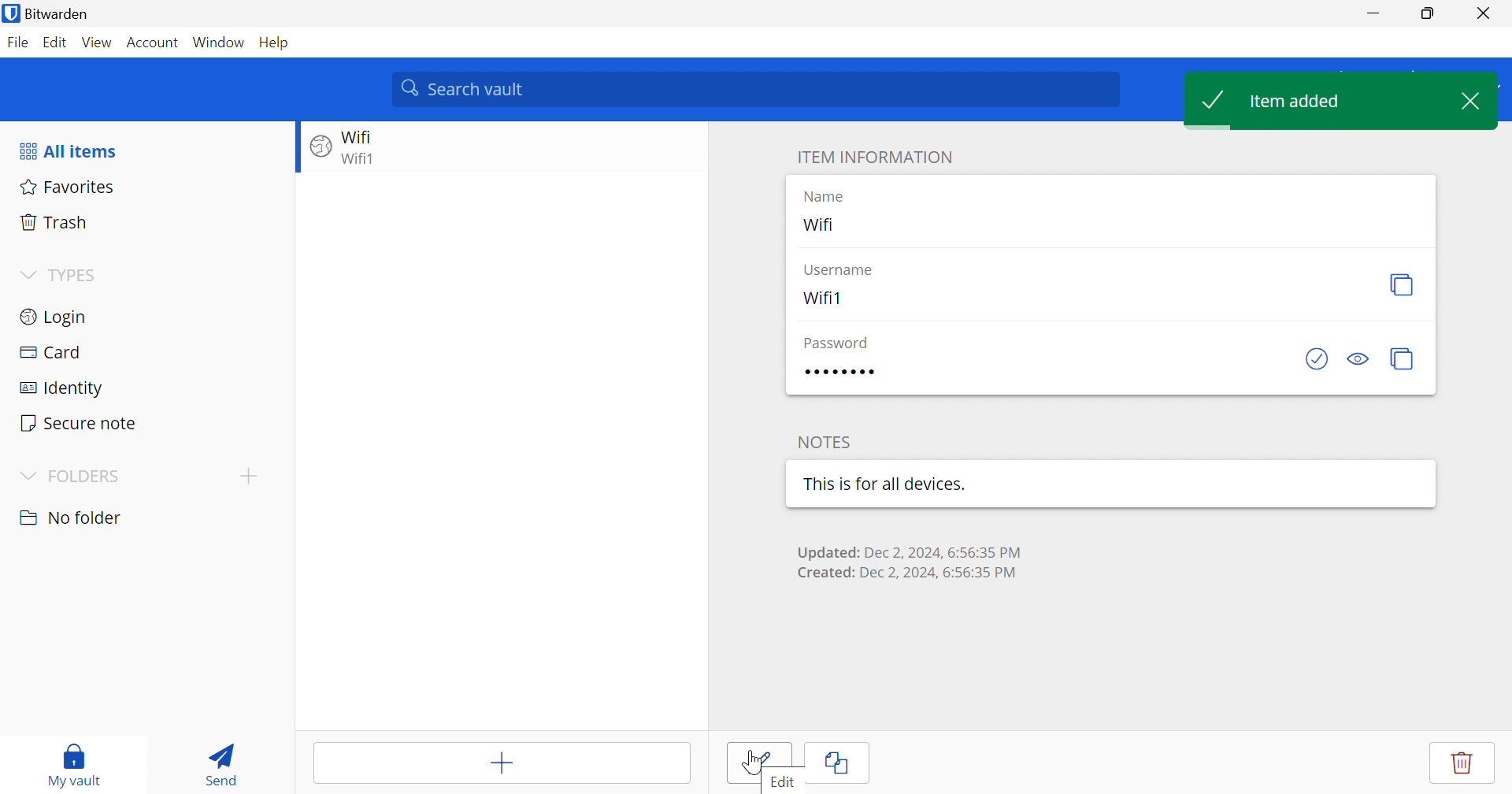 This screenshot has width=1512, height=794. What do you see at coordinates (75, 757) in the screenshot?
I see `My vault` at bounding box center [75, 757].